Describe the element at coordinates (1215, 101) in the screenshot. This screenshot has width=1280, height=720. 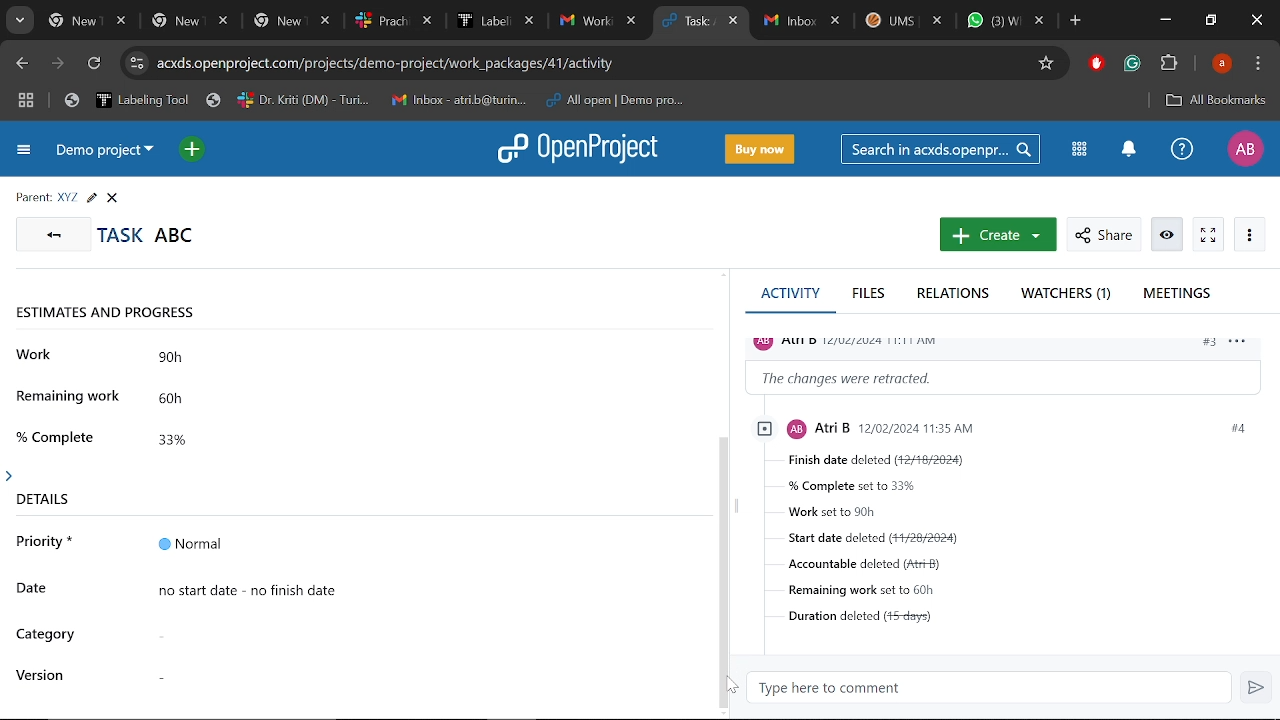
I see `All bookmarks` at that location.